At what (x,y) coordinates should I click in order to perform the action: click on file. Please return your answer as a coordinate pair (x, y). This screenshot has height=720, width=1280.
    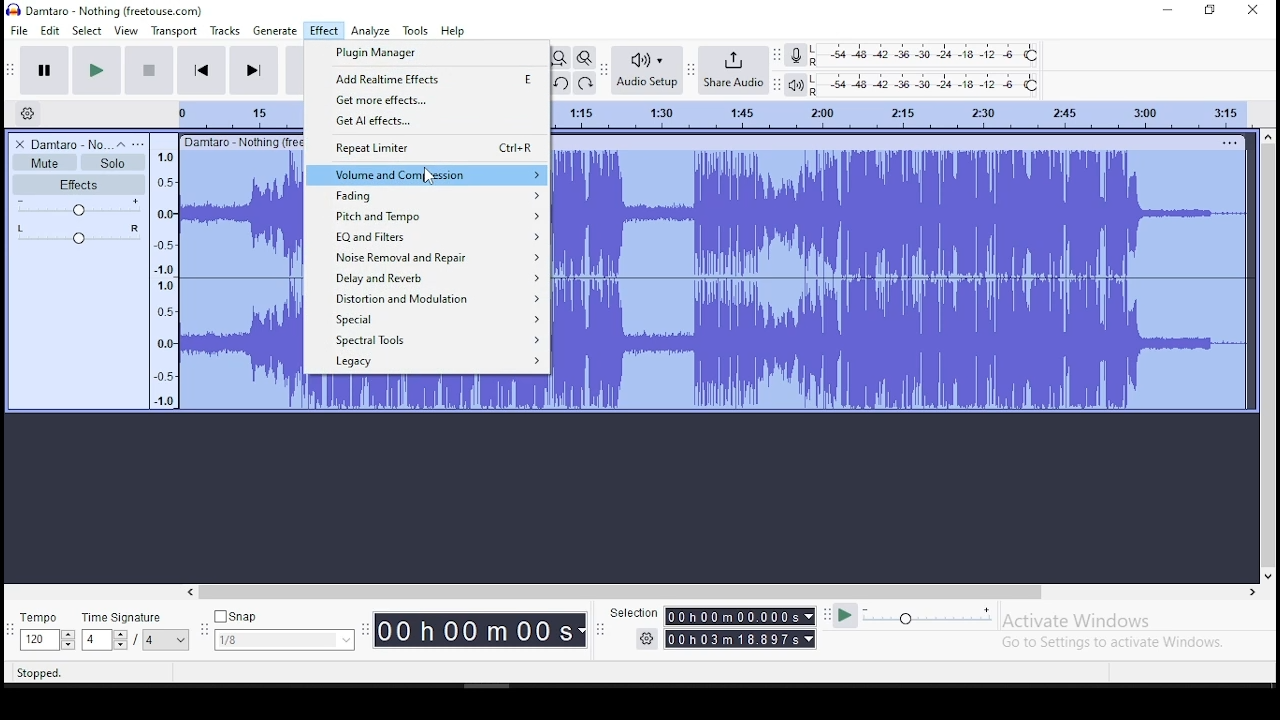
    Looking at the image, I should click on (18, 29).